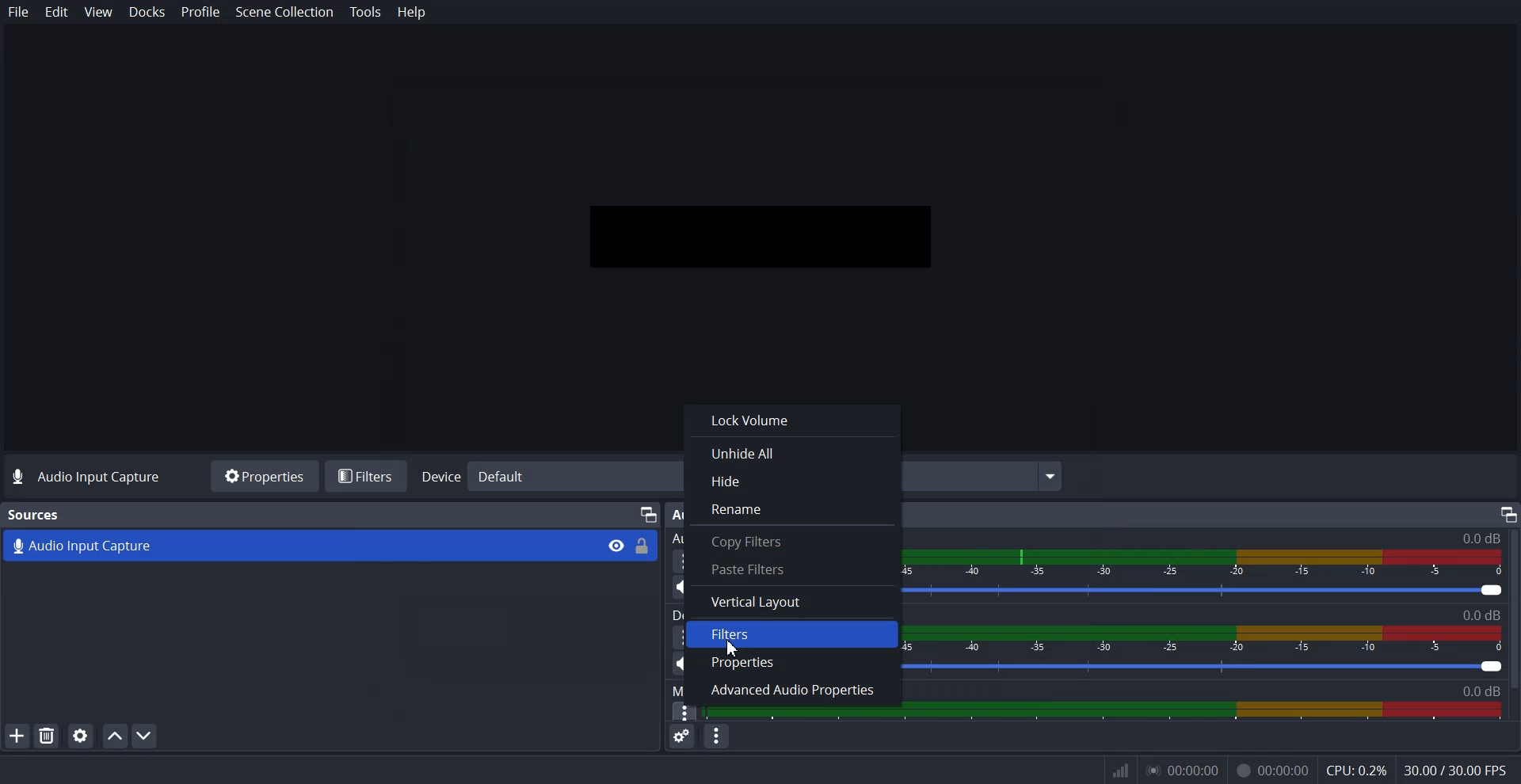 The width and height of the screenshot is (1521, 784). I want to click on More , so click(680, 629).